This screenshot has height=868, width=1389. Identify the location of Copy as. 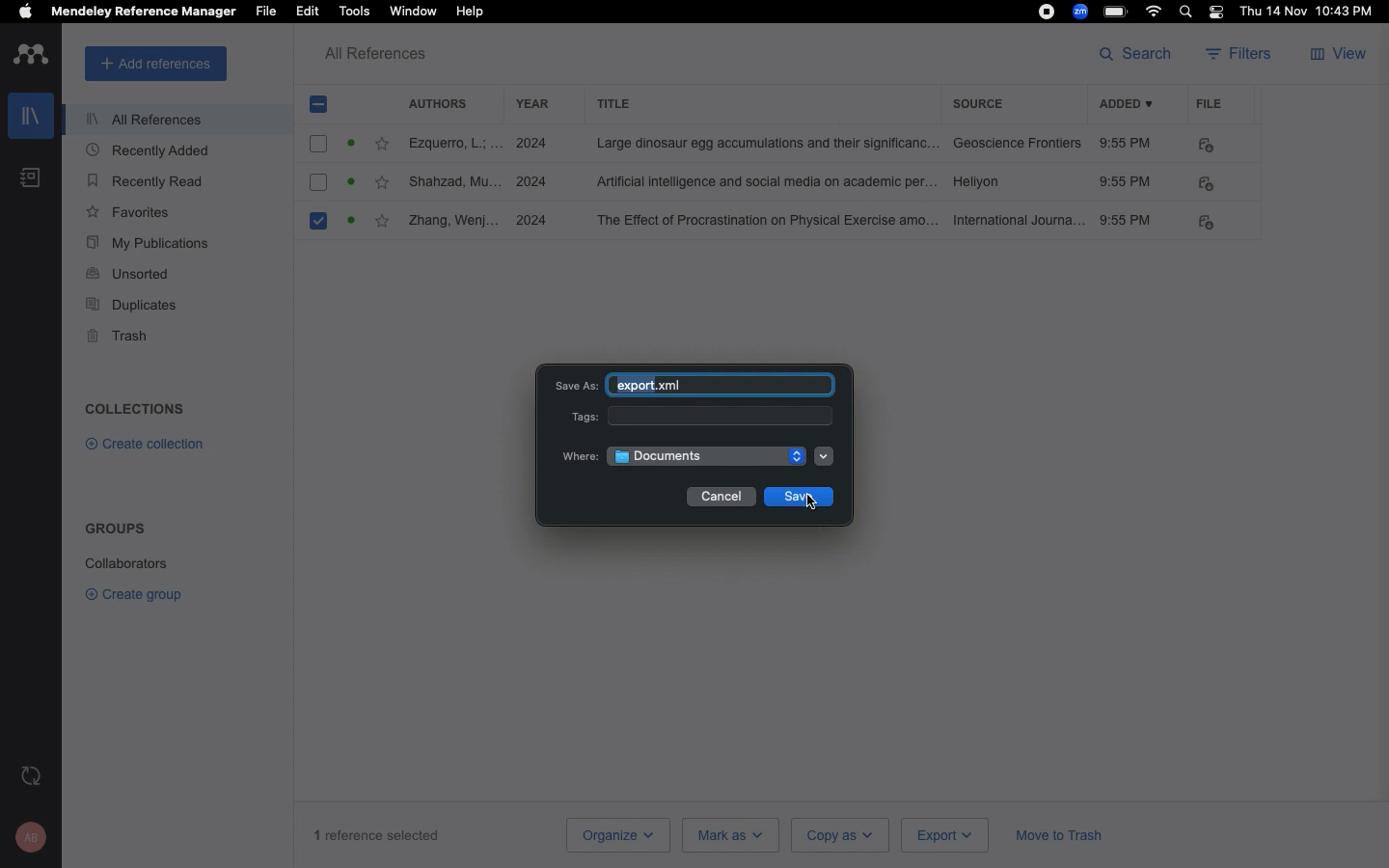
(838, 835).